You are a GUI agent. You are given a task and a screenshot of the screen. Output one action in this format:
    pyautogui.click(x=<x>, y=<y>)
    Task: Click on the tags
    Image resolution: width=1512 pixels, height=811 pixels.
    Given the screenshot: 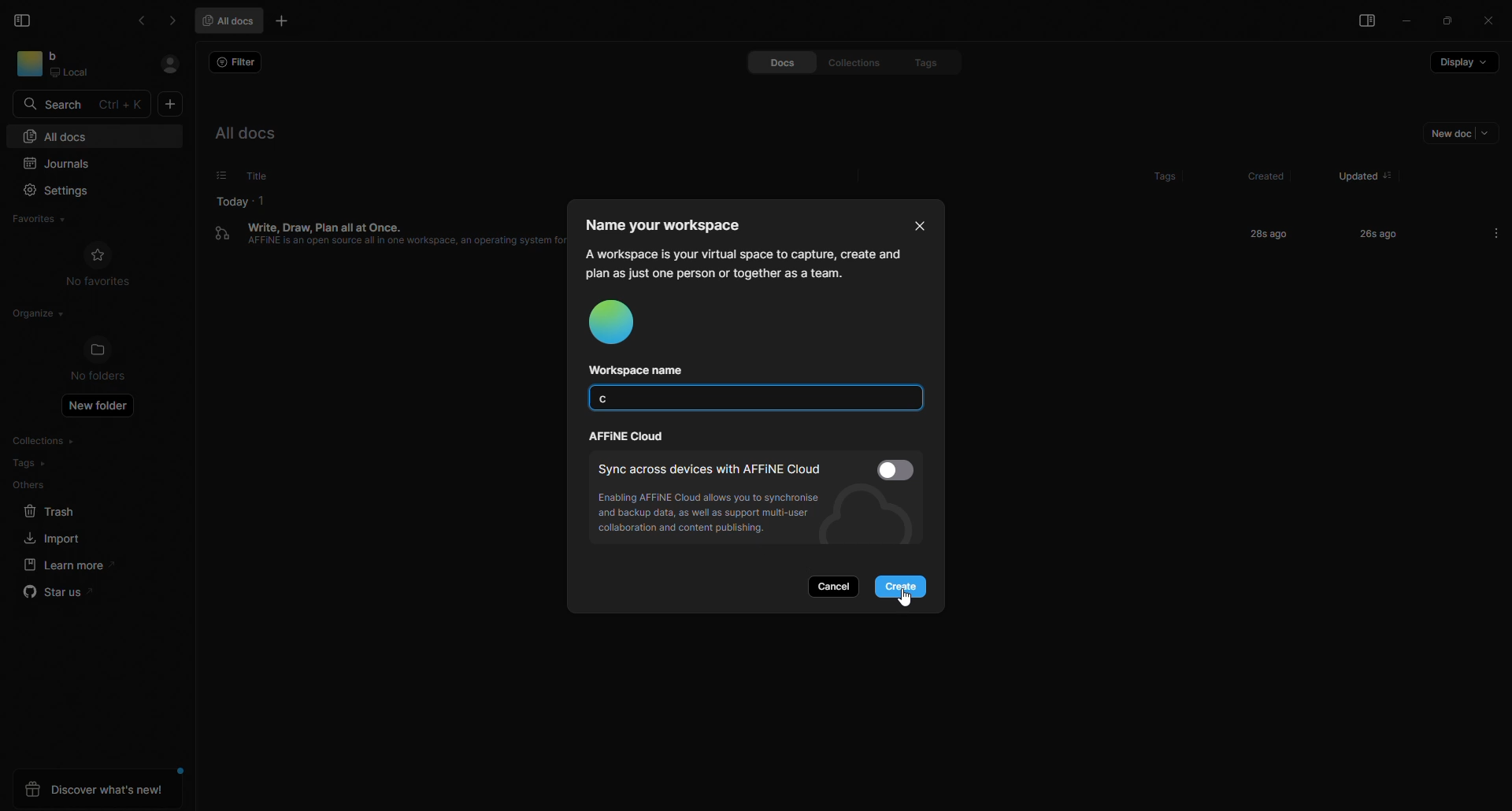 What is the action you would take?
    pyautogui.click(x=917, y=61)
    